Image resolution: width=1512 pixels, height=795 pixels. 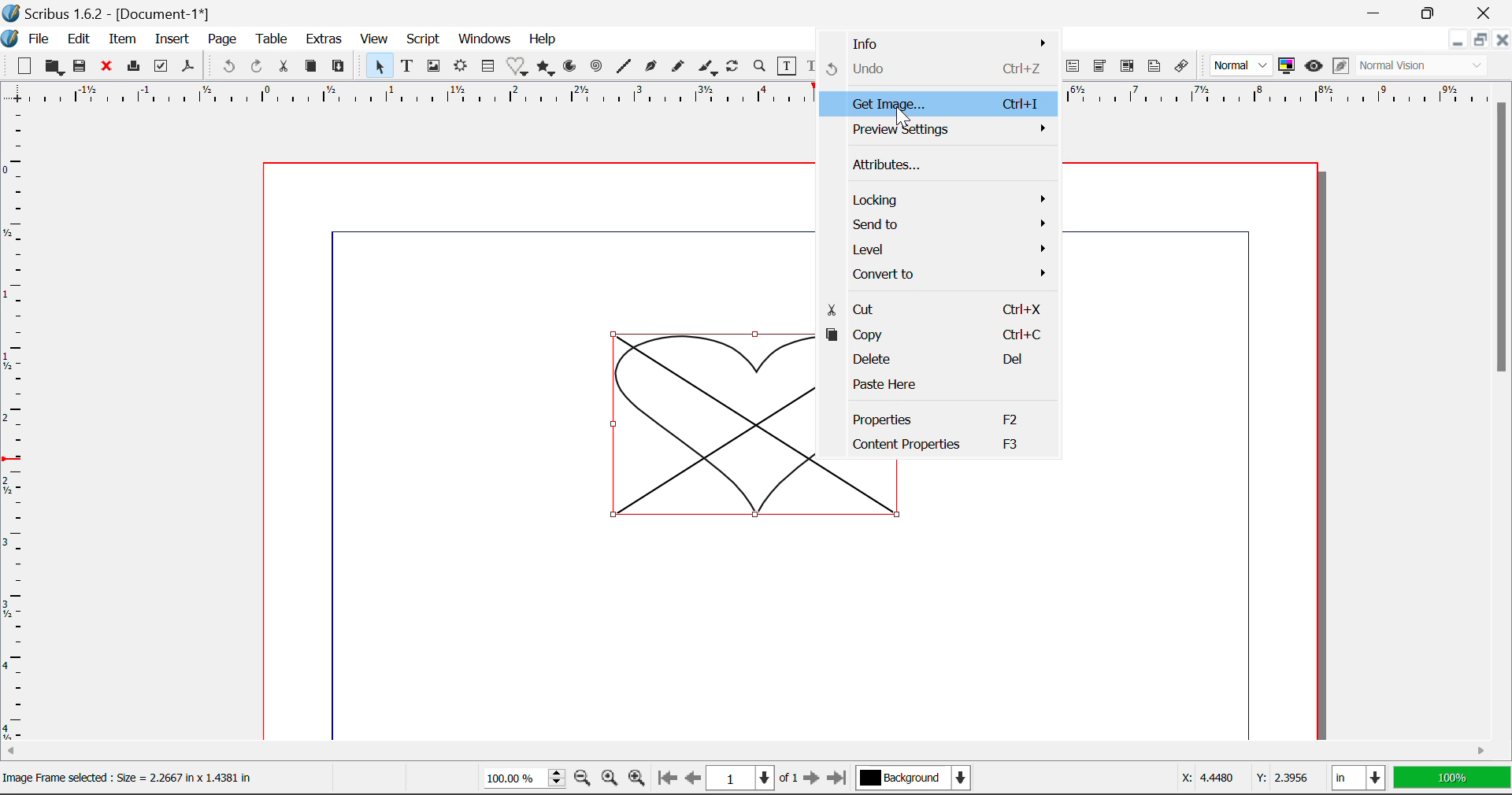 What do you see at coordinates (937, 417) in the screenshot?
I see `Properties` at bounding box center [937, 417].